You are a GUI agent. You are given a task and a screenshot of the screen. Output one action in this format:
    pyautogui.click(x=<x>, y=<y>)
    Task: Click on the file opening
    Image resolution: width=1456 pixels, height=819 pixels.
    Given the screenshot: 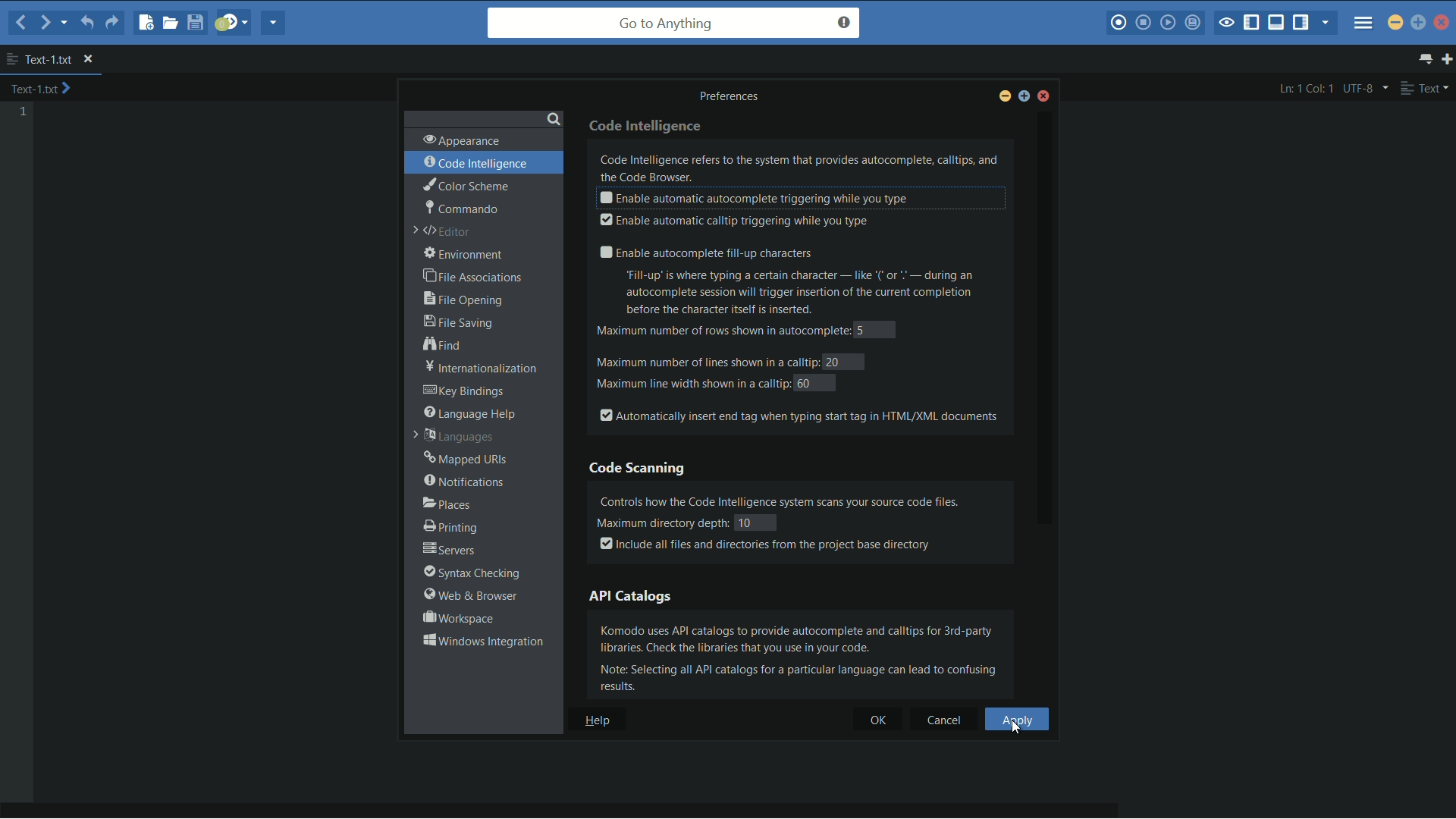 What is the action you would take?
    pyautogui.click(x=466, y=299)
    